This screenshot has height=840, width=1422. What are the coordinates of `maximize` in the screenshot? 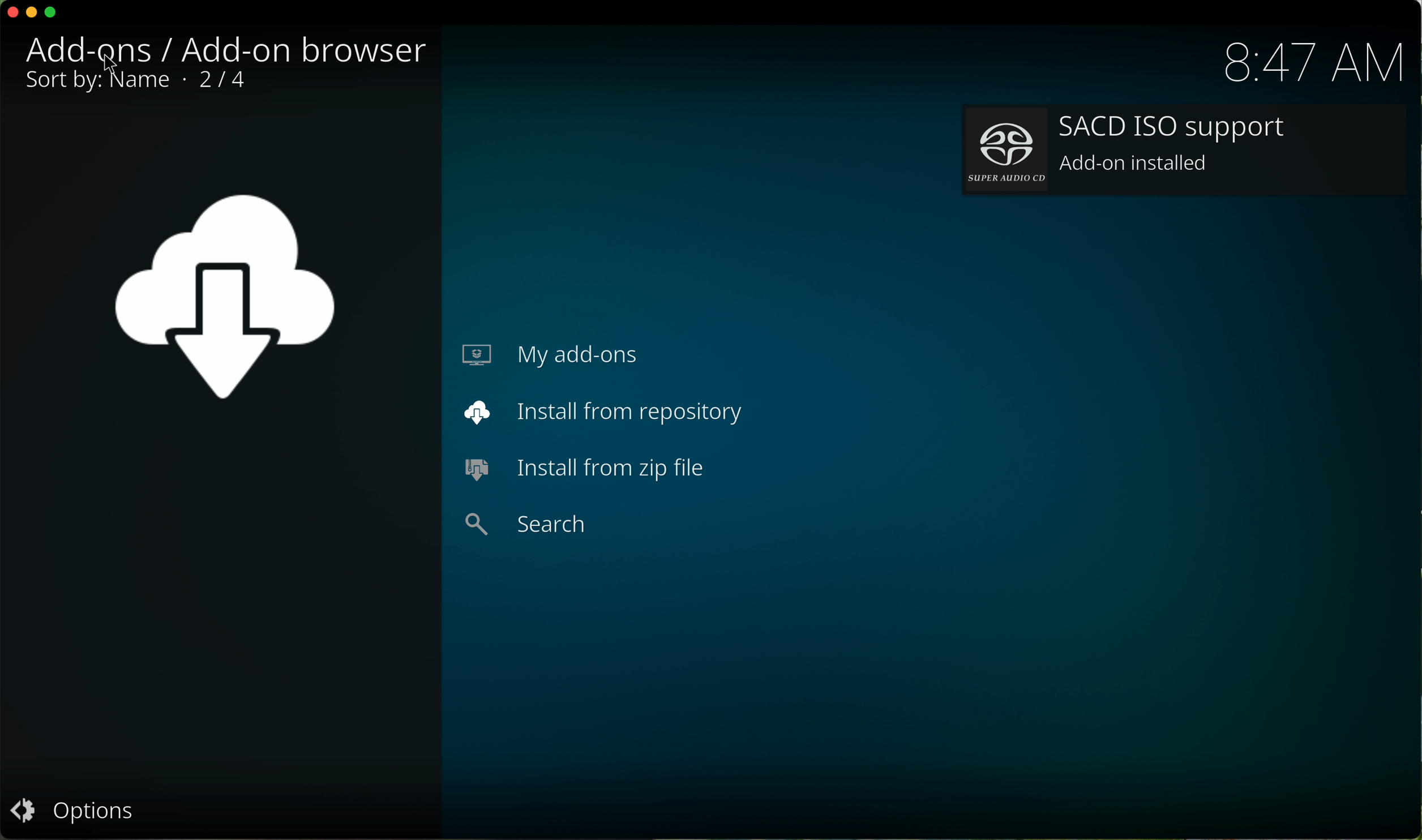 It's located at (55, 15).